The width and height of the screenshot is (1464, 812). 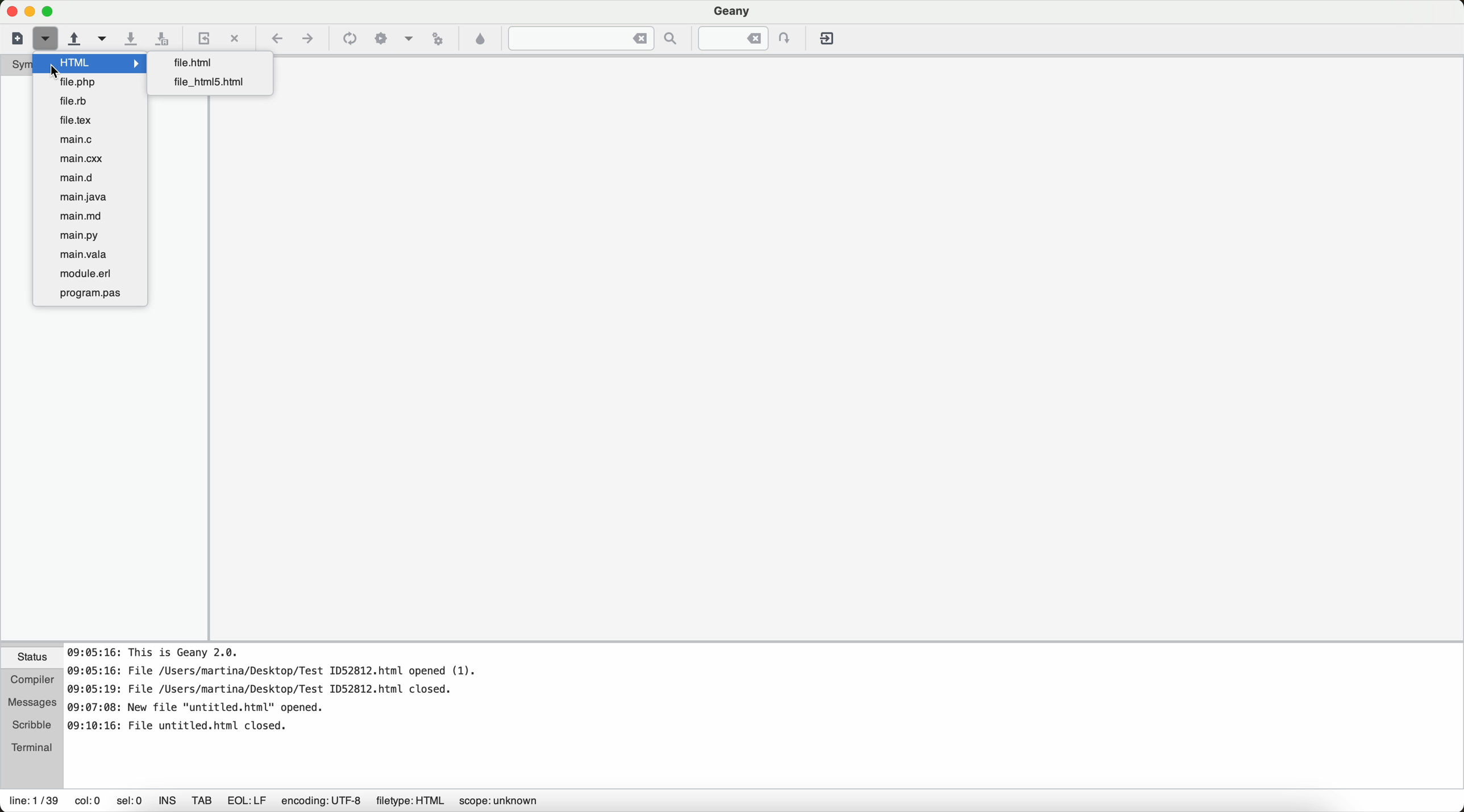 I want to click on compile the current file, so click(x=350, y=40).